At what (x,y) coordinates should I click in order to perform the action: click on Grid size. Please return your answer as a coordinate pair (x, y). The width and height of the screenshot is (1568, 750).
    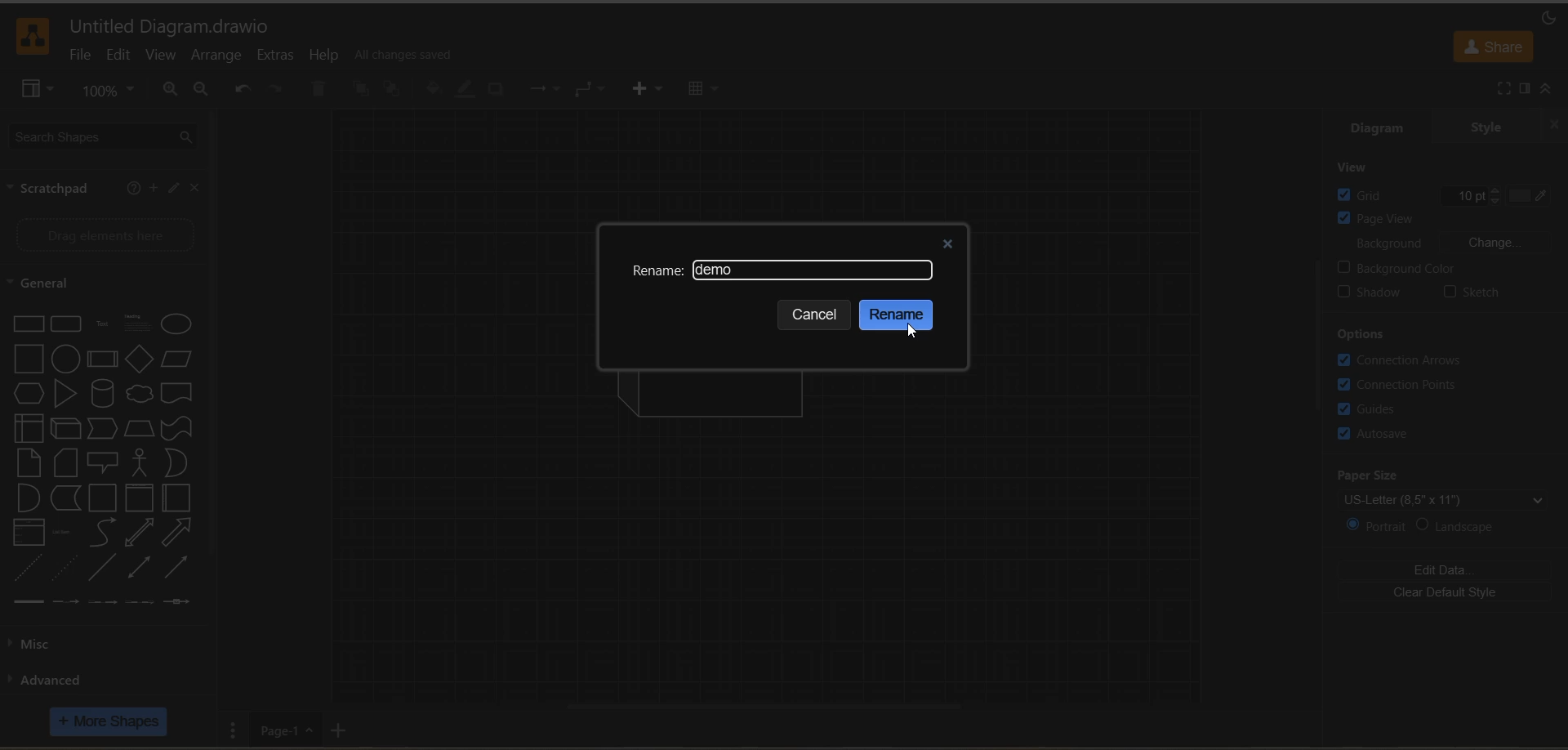
    Looking at the image, I should click on (1450, 194).